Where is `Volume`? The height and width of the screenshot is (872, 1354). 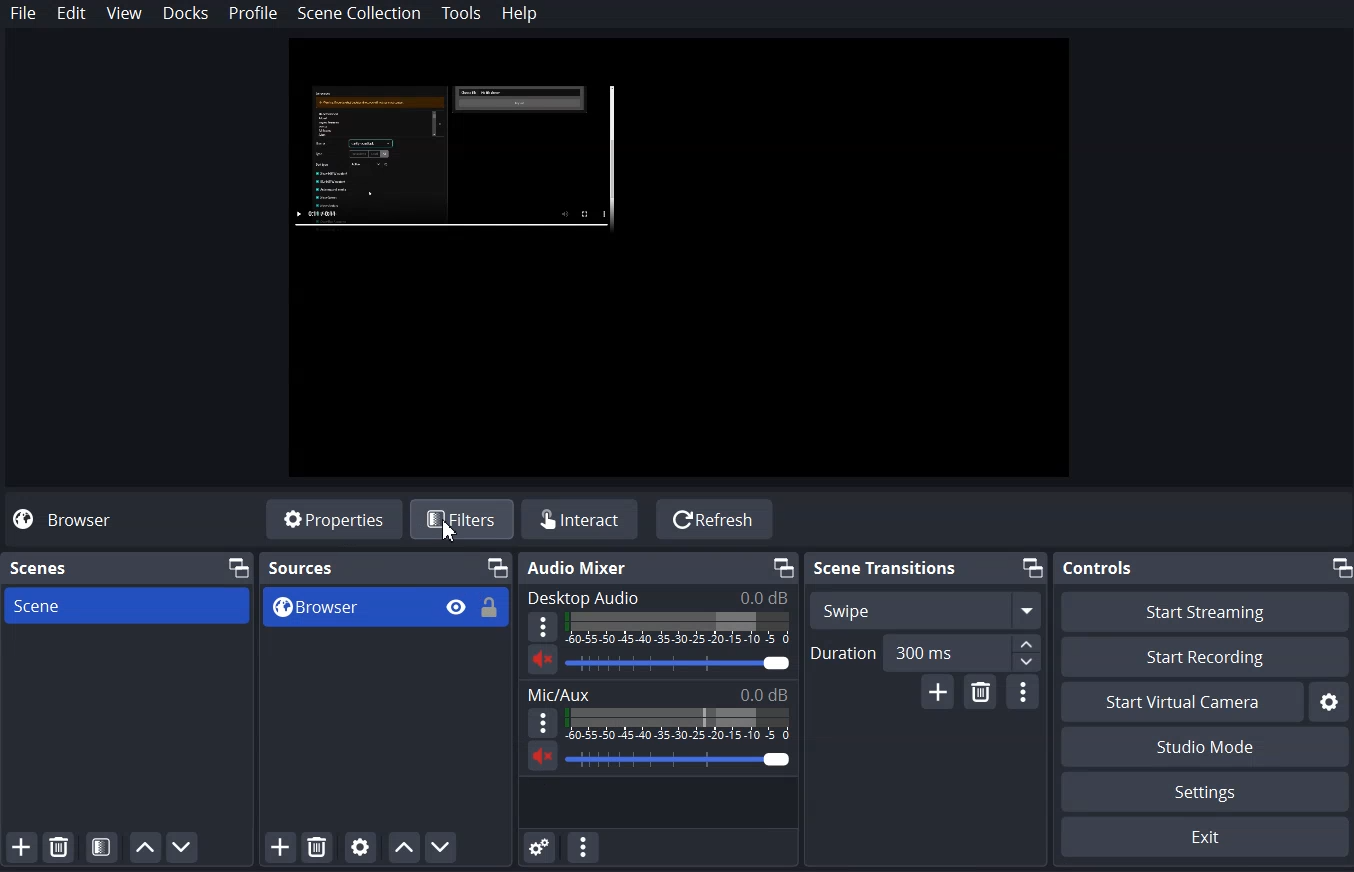 Volume is located at coordinates (542, 660).